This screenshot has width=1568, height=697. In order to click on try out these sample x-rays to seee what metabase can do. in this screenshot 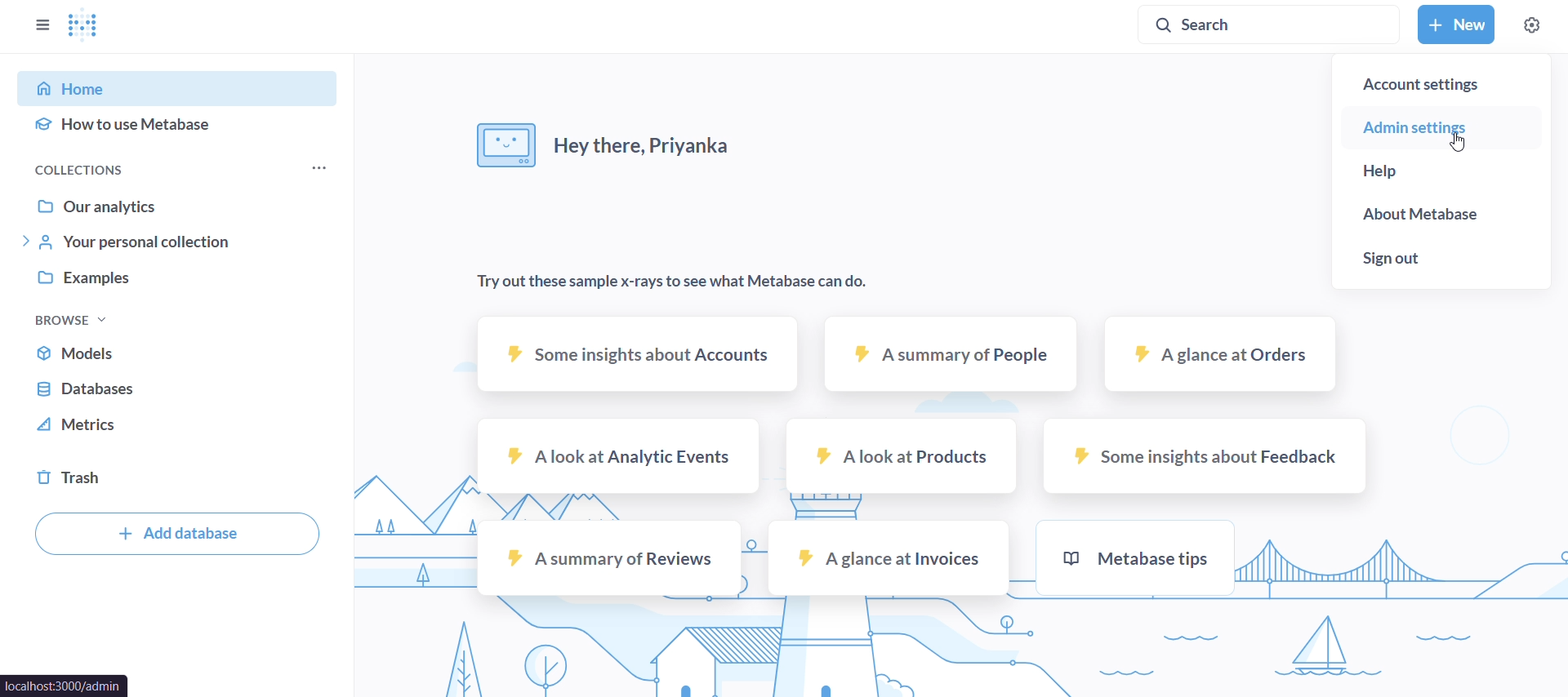, I will do `click(667, 283)`.